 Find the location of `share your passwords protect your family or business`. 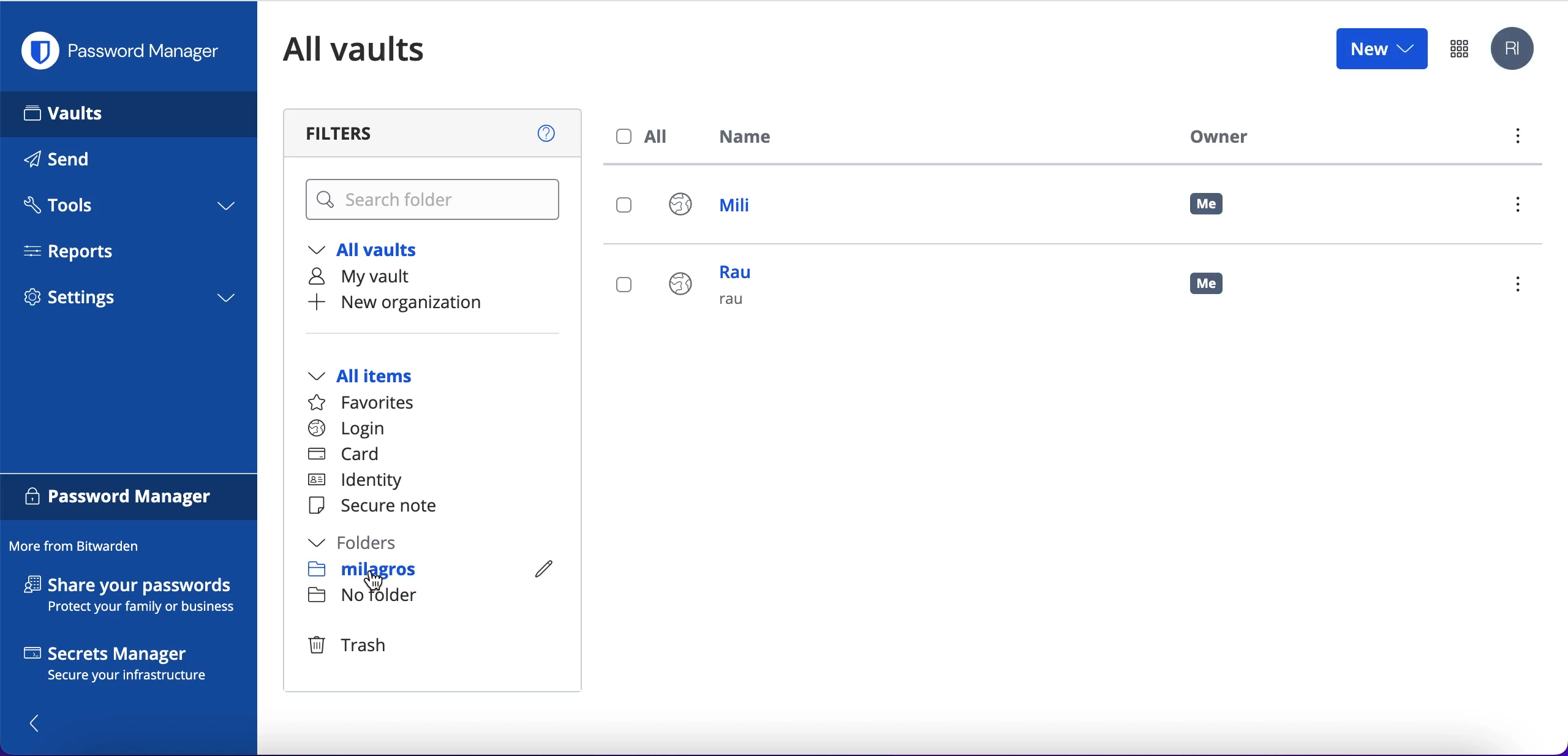

share your passwords protect your family or business is located at coordinates (136, 597).